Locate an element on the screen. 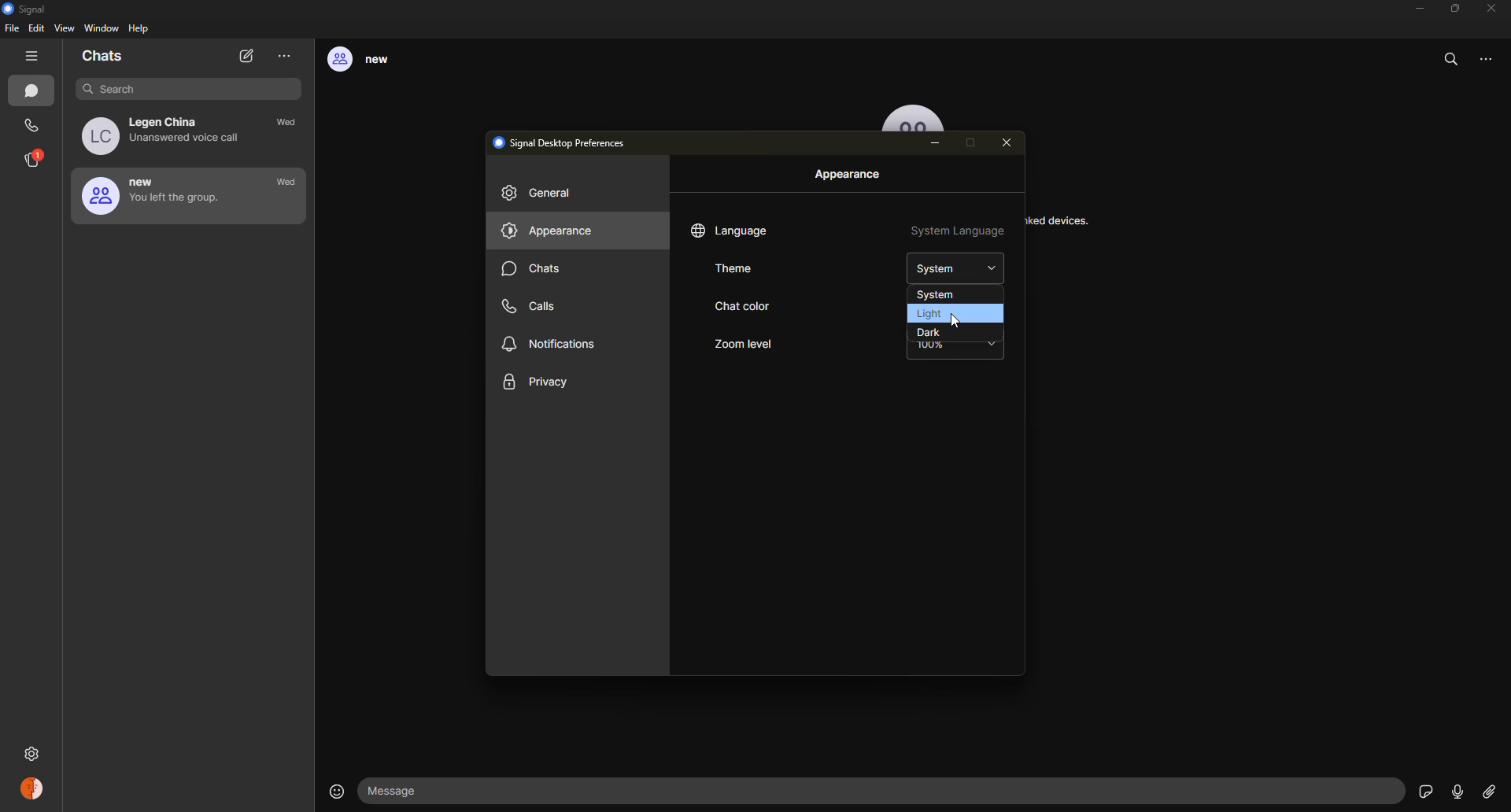 The height and width of the screenshot is (812, 1511). hide tabs is located at coordinates (35, 57).